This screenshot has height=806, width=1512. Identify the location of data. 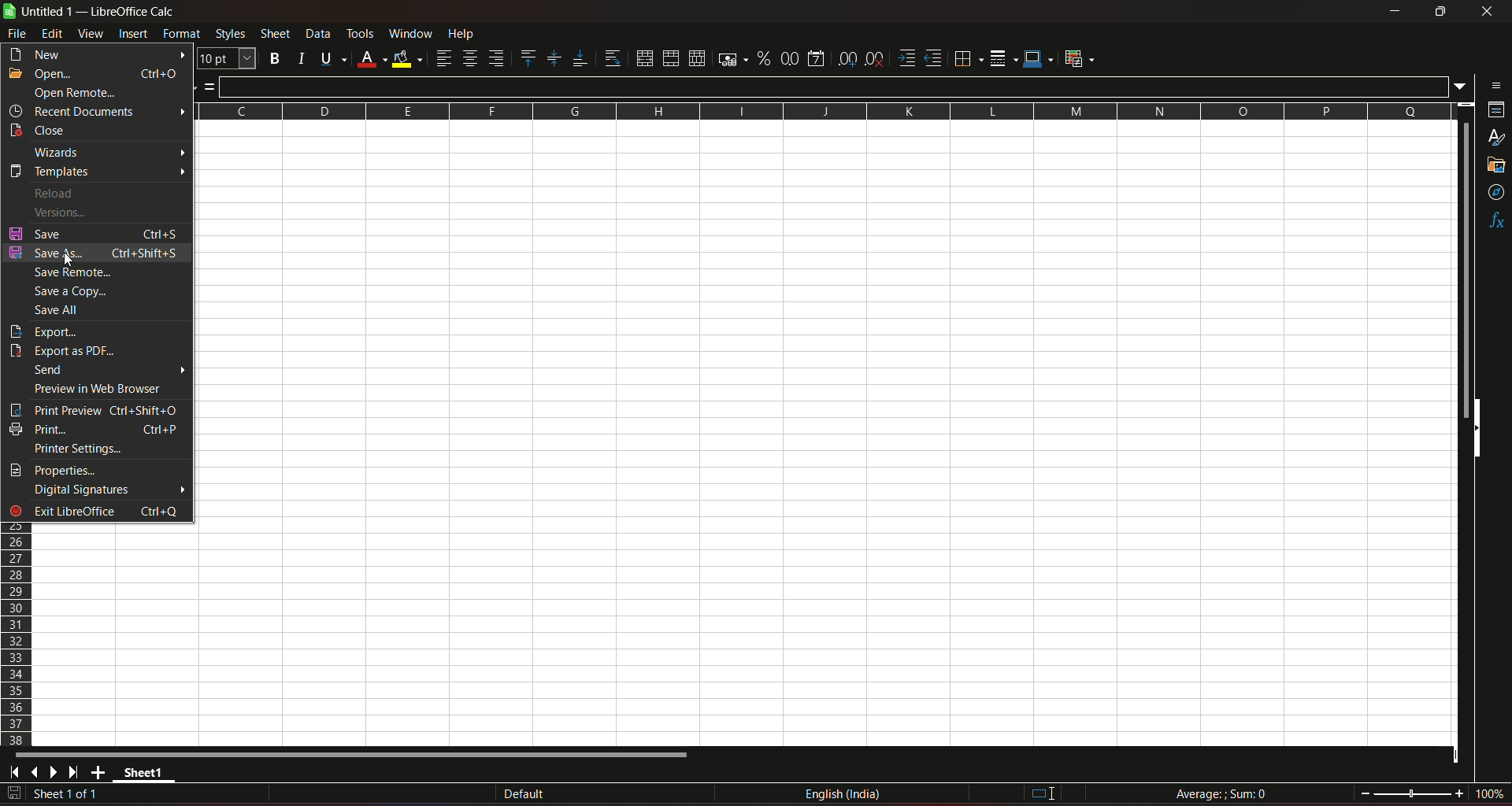
(317, 34).